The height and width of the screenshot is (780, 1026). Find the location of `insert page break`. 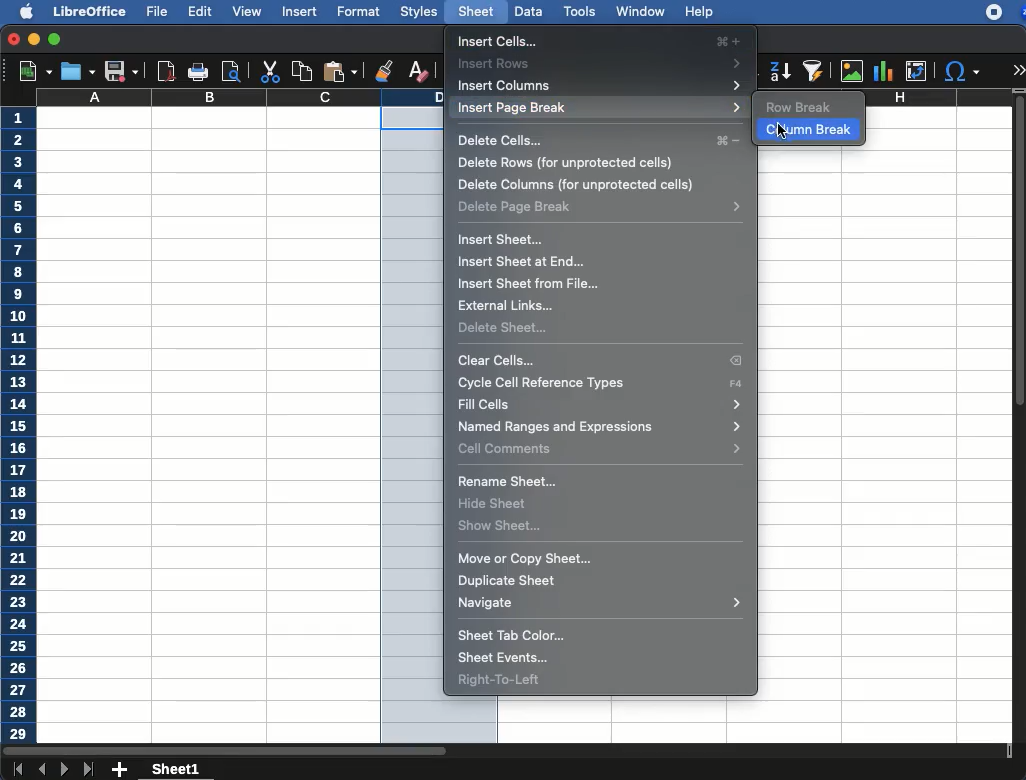

insert page break is located at coordinates (598, 109).